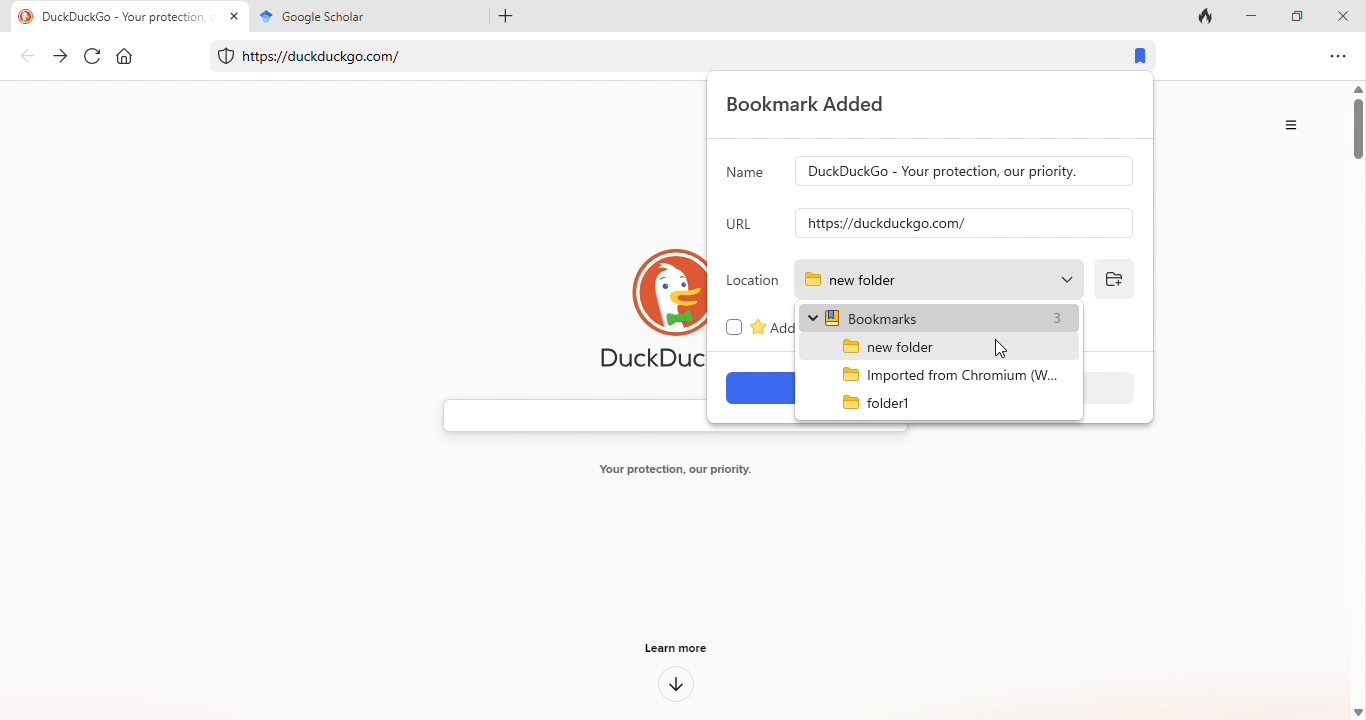 Image resolution: width=1366 pixels, height=720 pixels. I want to click on move down, so click(1357, 712).